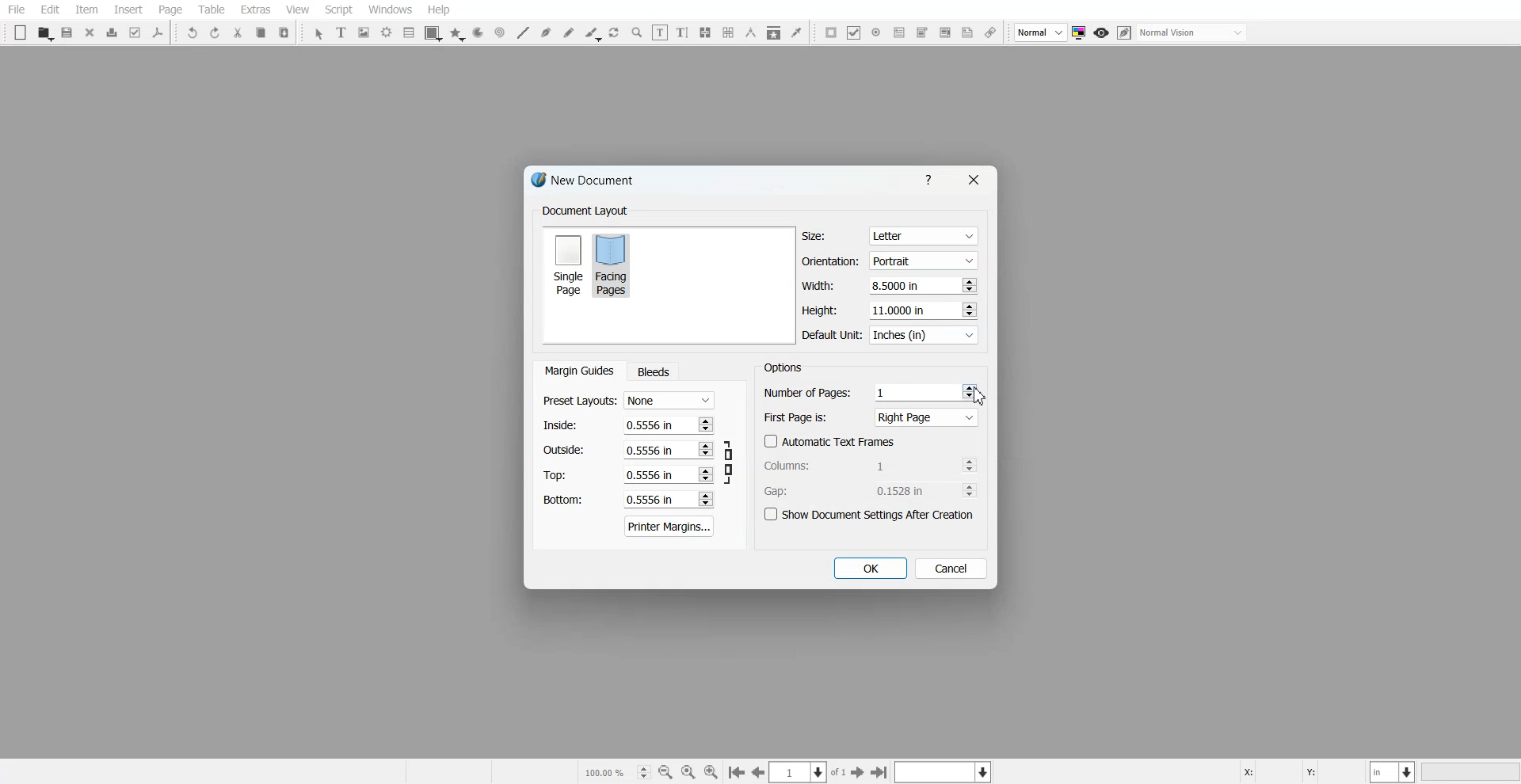  What do you see at coordinates (876, 32) in the screenshot?
I see `PDF Radio Button` at bounding box center [876, 32].